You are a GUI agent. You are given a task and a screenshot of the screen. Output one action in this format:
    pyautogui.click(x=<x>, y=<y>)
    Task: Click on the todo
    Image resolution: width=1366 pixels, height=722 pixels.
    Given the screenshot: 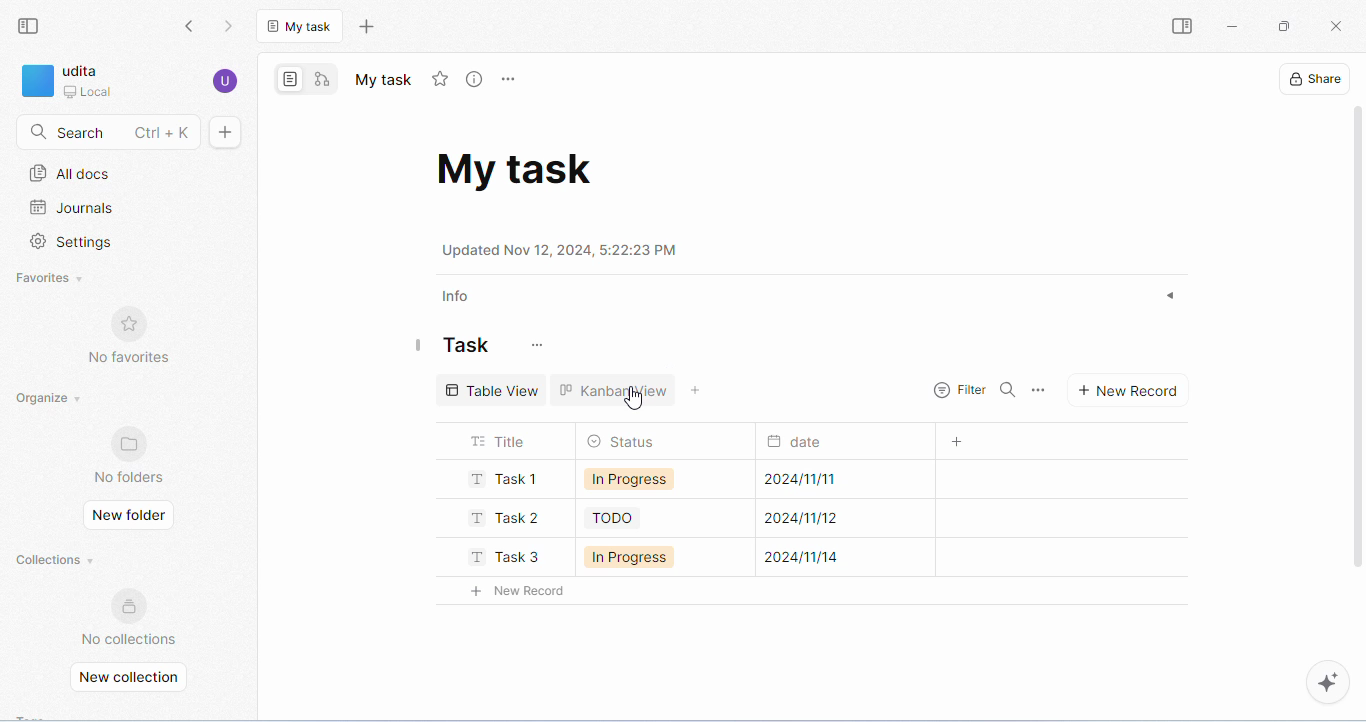 What is the action you would take?
    pyautogui.click(x=616, y=520)
    